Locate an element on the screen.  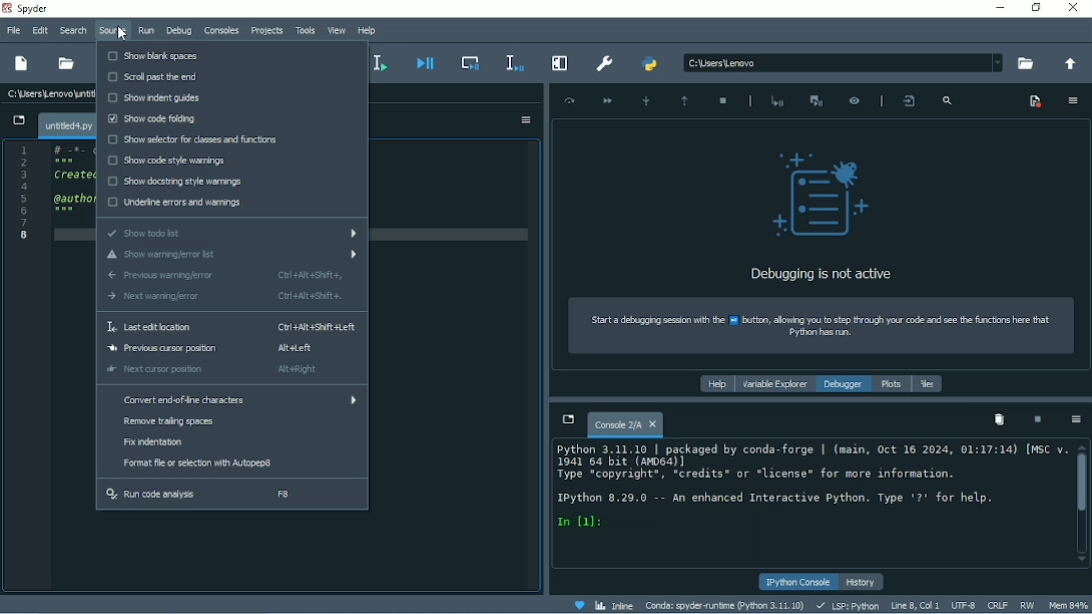
Inspect execution is located at coordinates (853, 100).